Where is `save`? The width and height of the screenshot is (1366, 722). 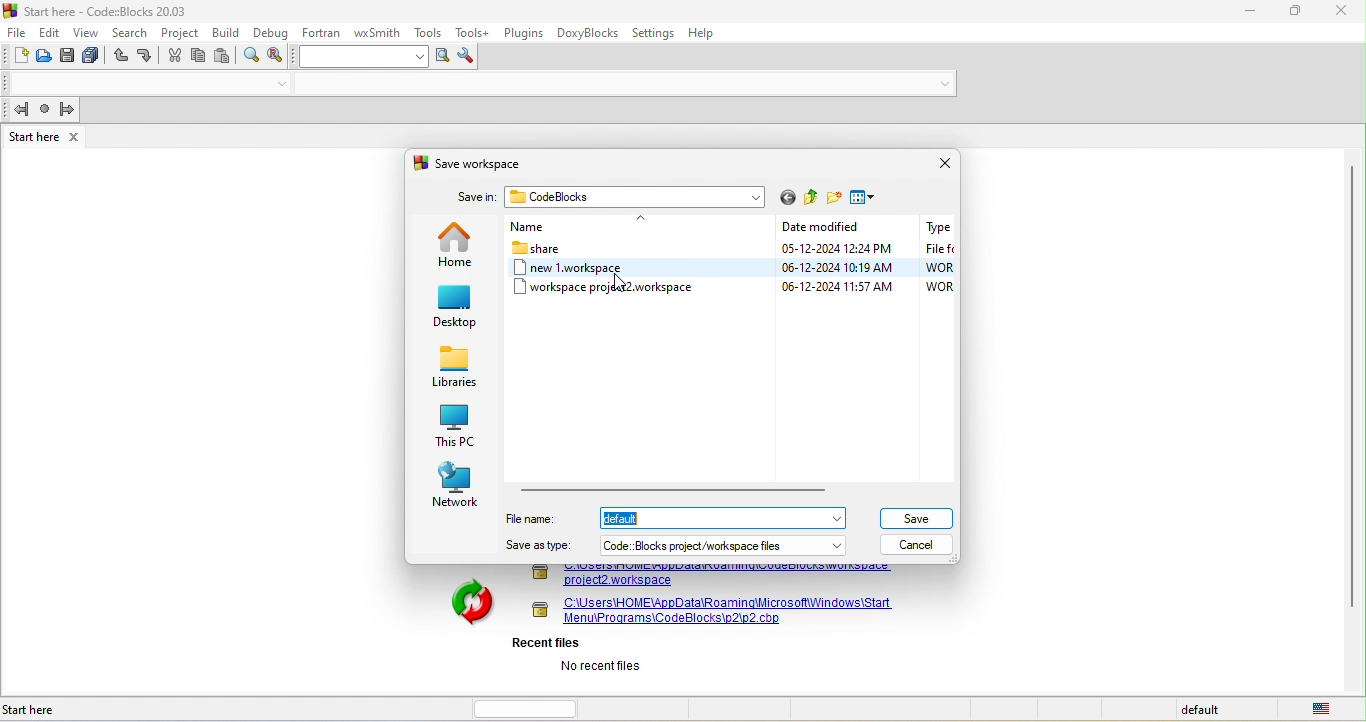 save is located at coordinates (69, 58).